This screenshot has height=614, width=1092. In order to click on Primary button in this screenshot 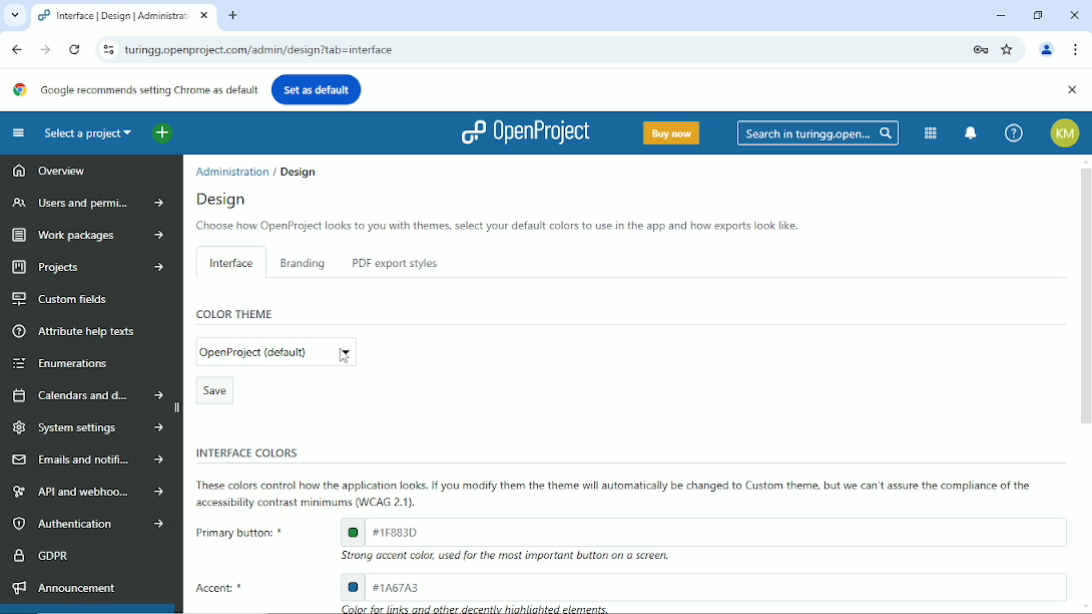, I will do `click(236, 532)`.